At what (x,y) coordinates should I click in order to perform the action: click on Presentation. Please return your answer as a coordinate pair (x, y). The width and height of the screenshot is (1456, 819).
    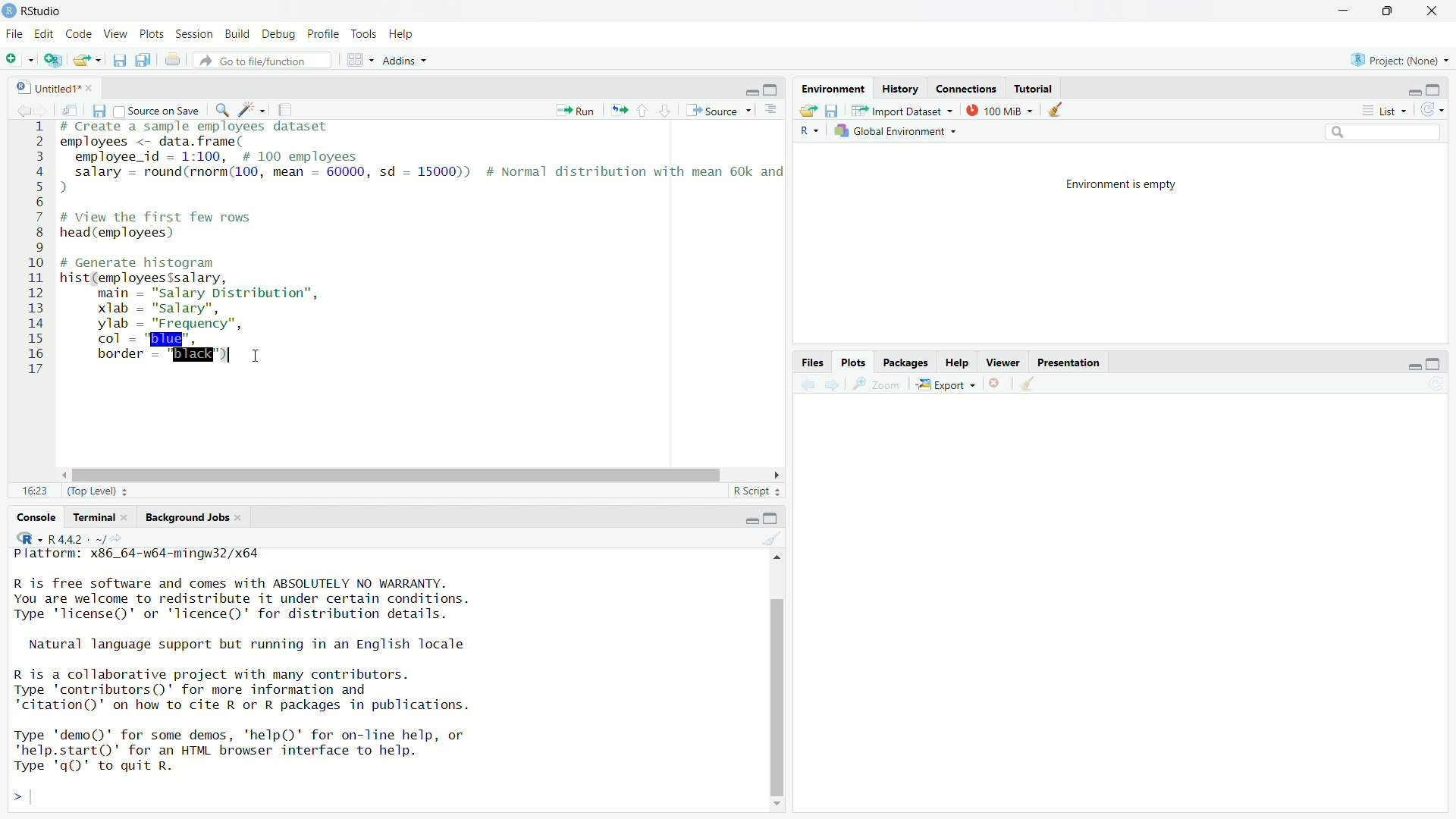
    Looking at the image, I should click on (1071, 362).